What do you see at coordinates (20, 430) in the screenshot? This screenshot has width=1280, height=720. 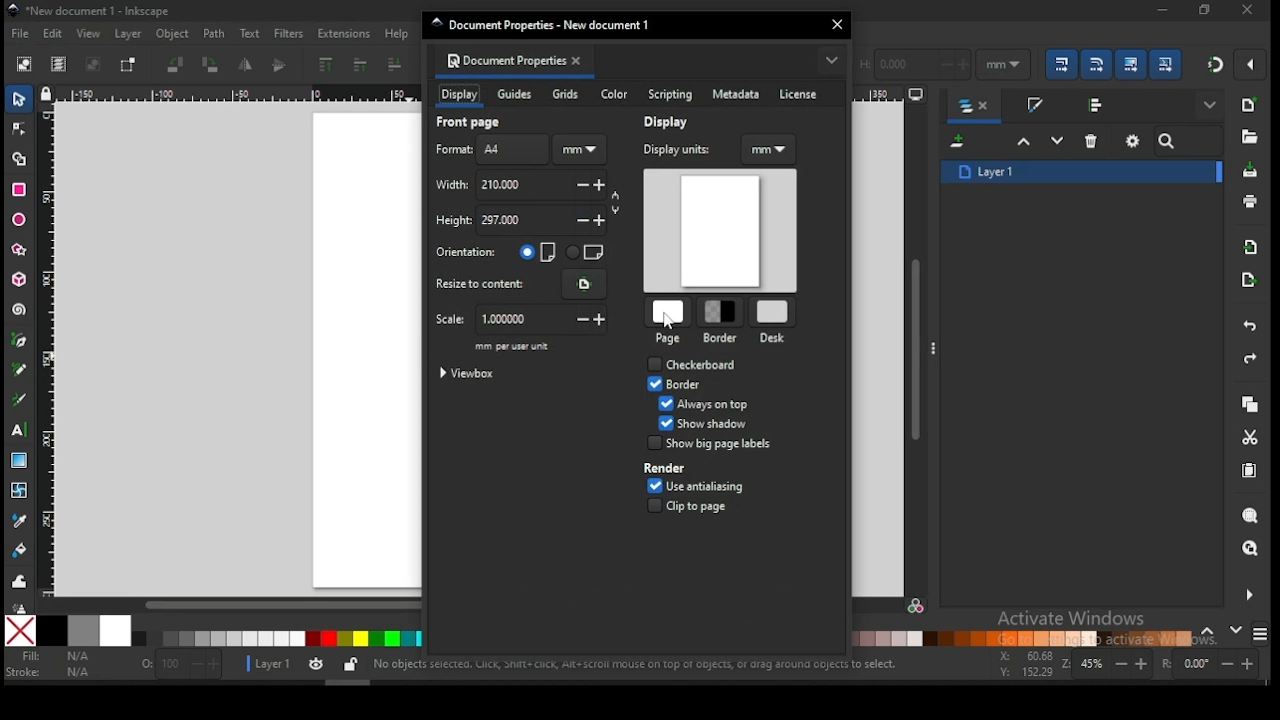 I see `text tool` at bounding box center [20, 430].